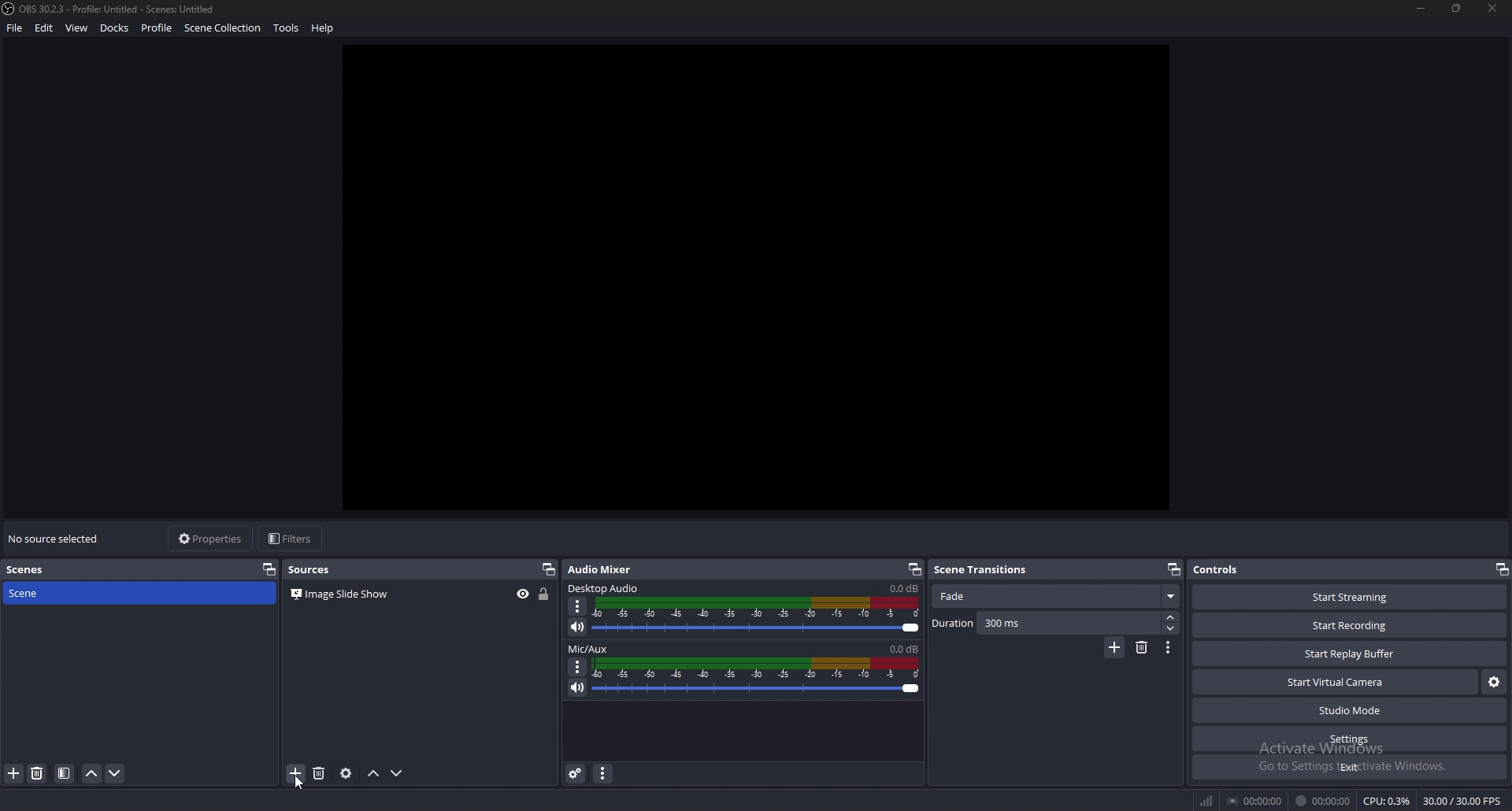  What do you see at coordinates (321, 772) in the screenshot?
I see `remove source` at bounding box center [321, 772].